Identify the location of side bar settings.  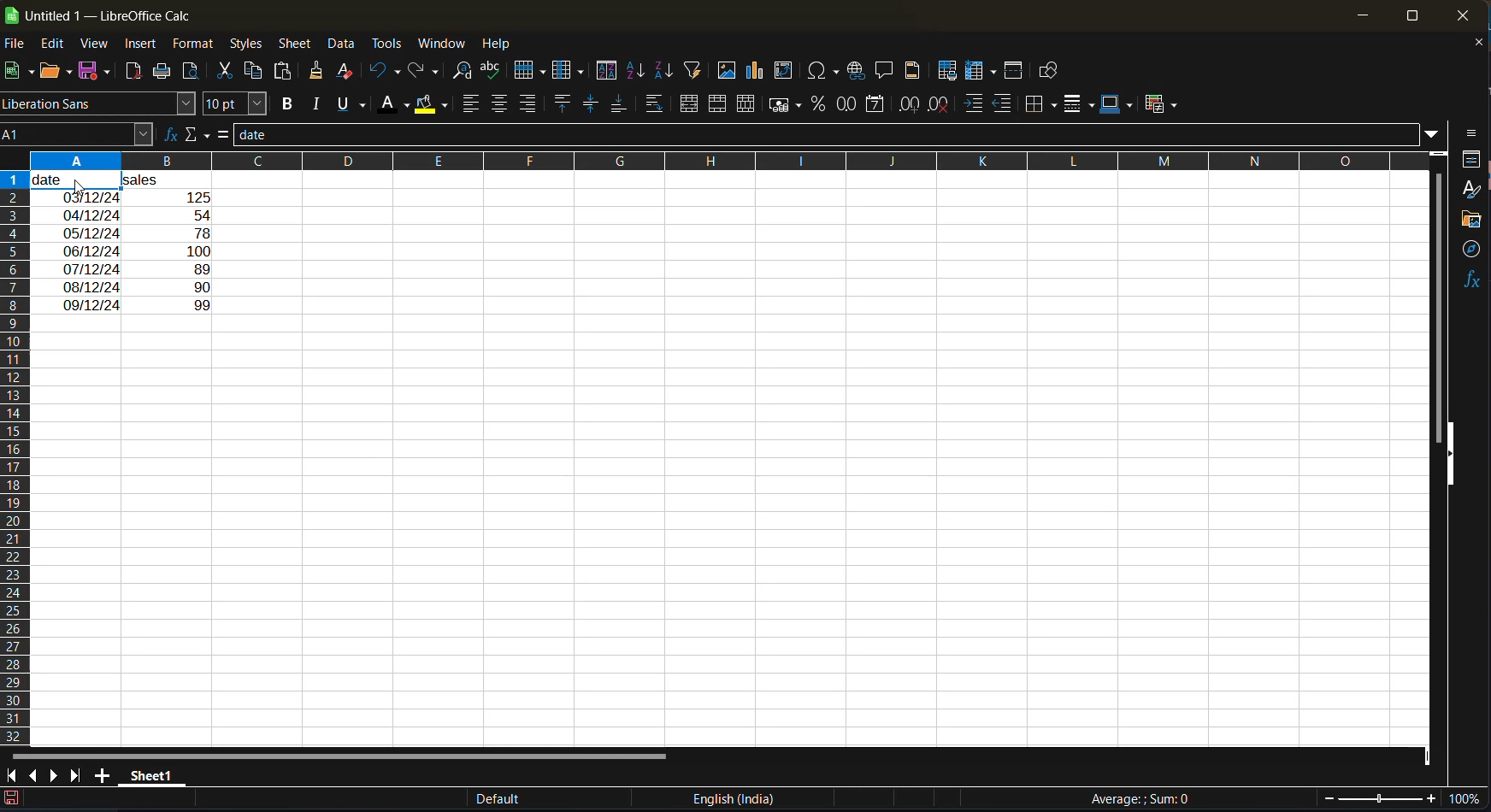
(1471, 133).